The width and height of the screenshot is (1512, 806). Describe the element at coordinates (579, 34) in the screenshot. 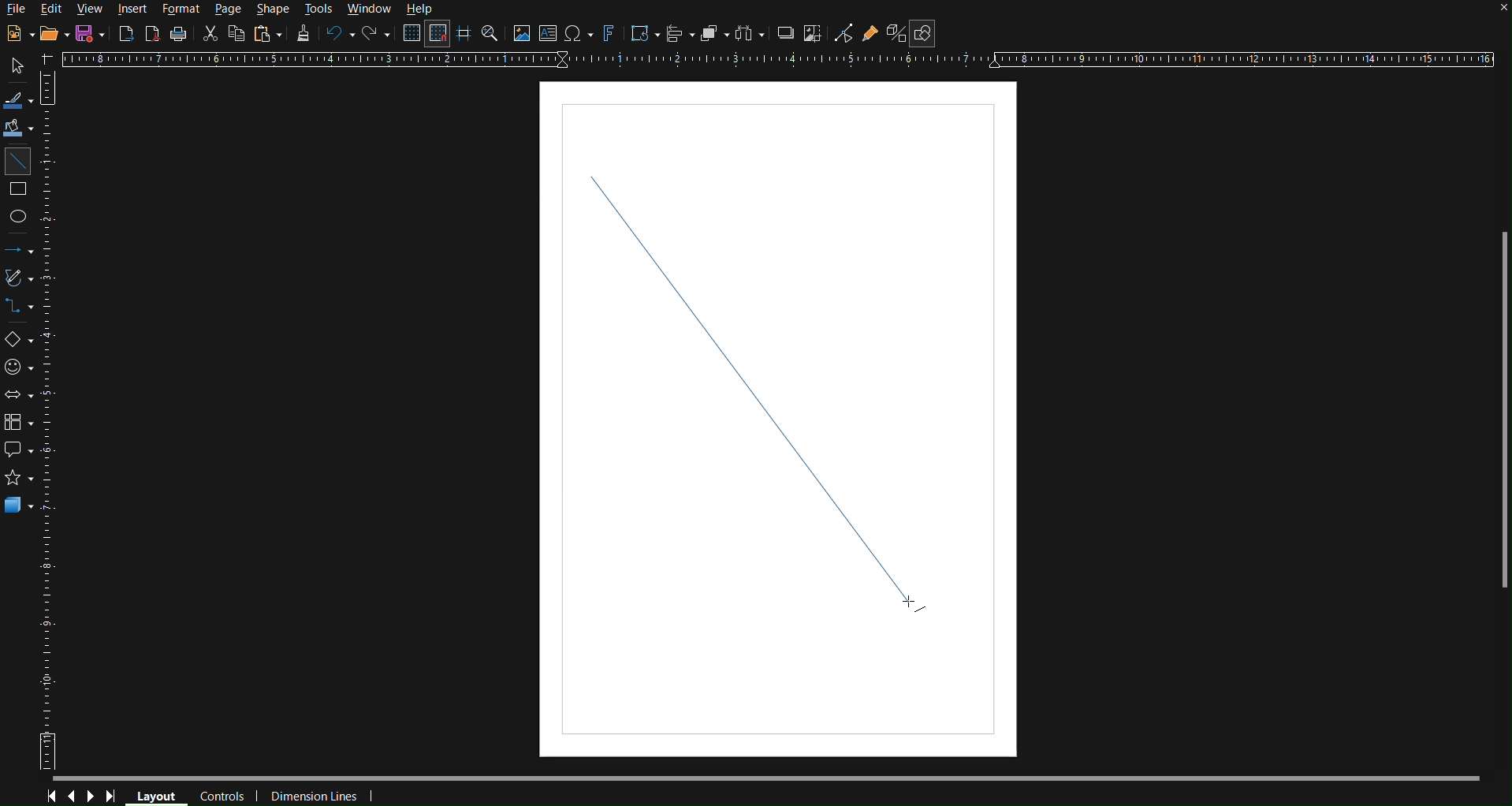

I see `Insert special characters` at that location.